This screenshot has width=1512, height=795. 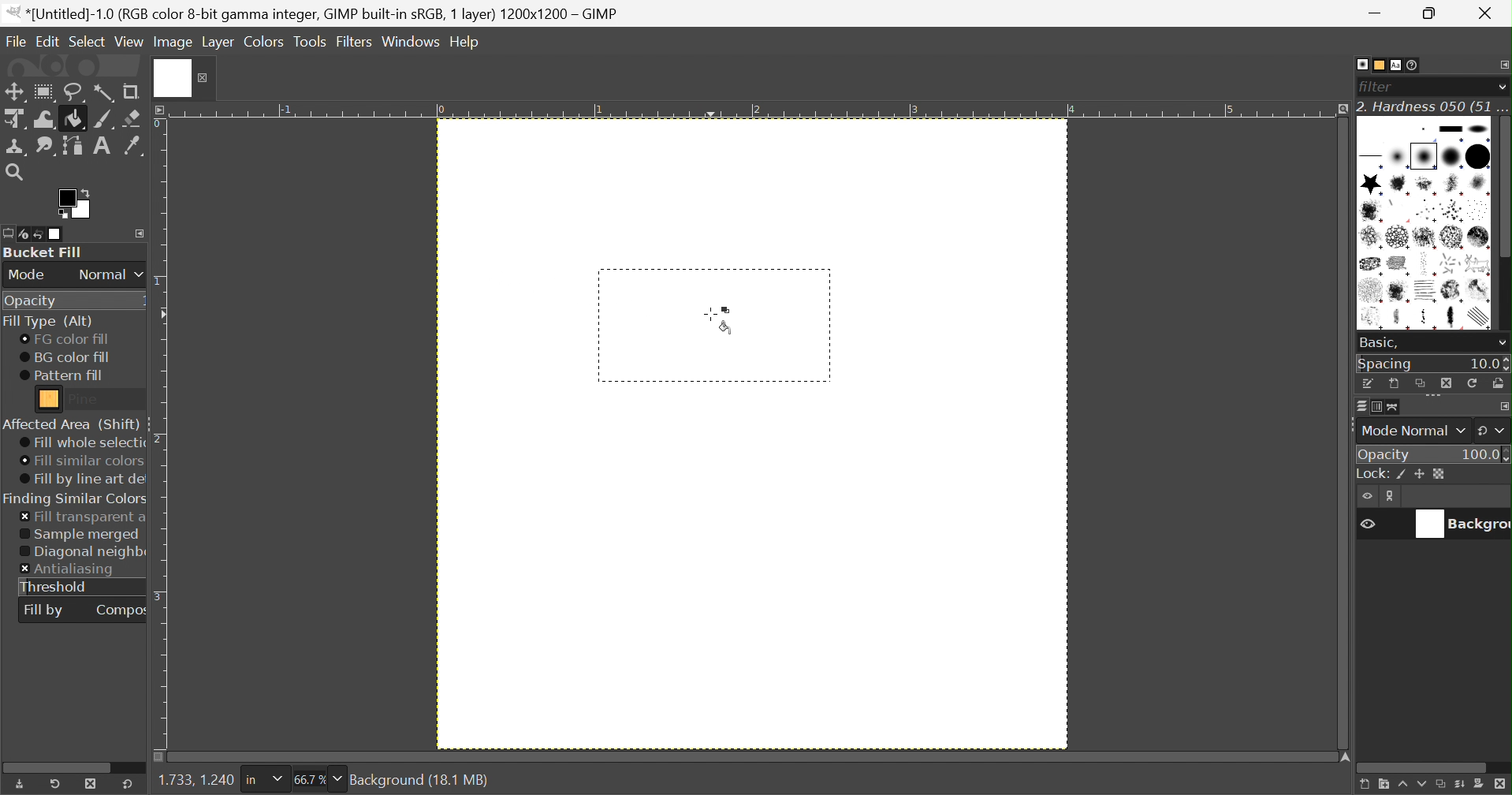 What do you see at coordinates (1479, 185) in the screenshot?
I see `Acrylic 04` at bounding box center [1479, 185].